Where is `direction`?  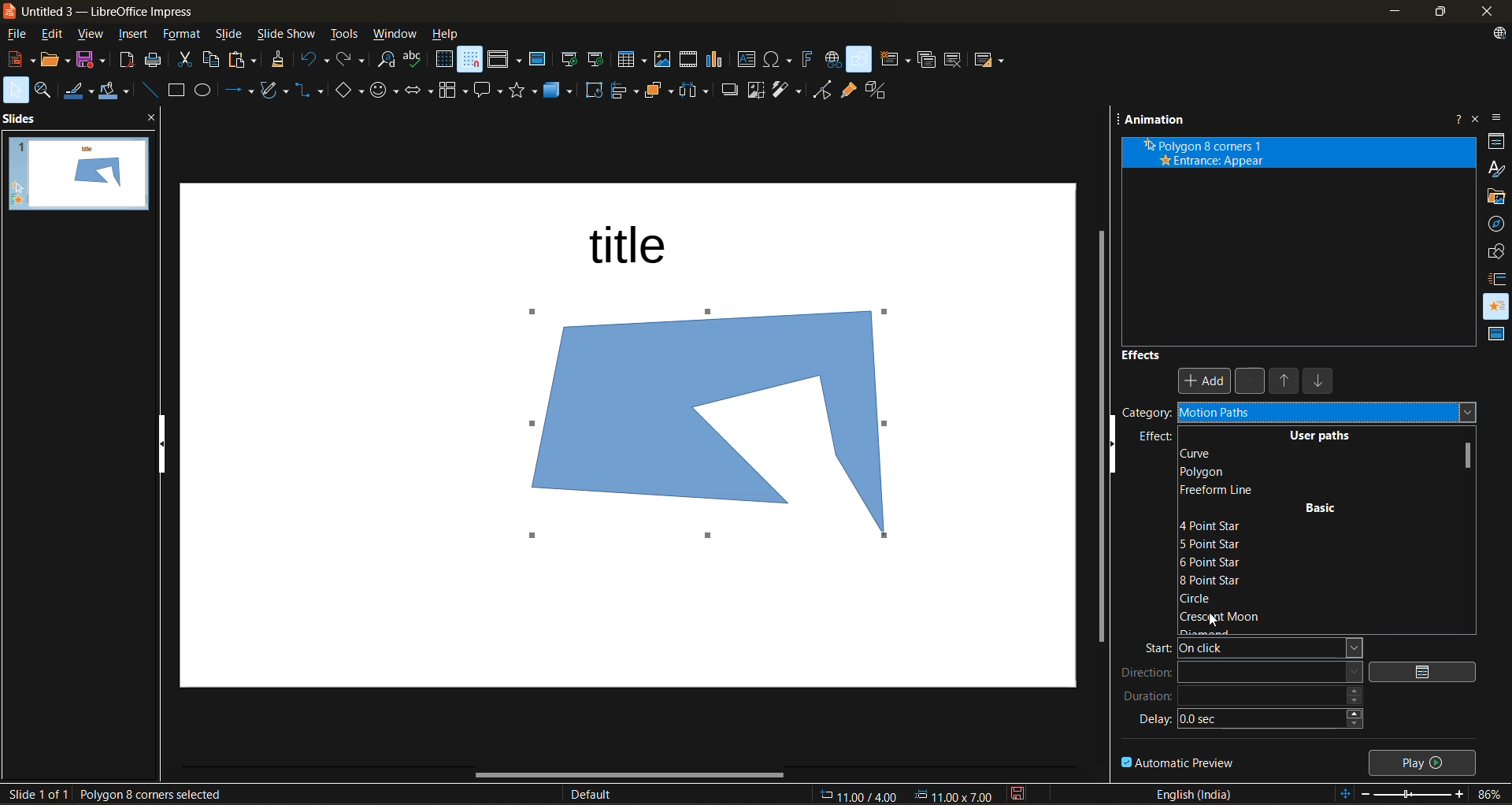
direction is located at coordinates (1242, 673).